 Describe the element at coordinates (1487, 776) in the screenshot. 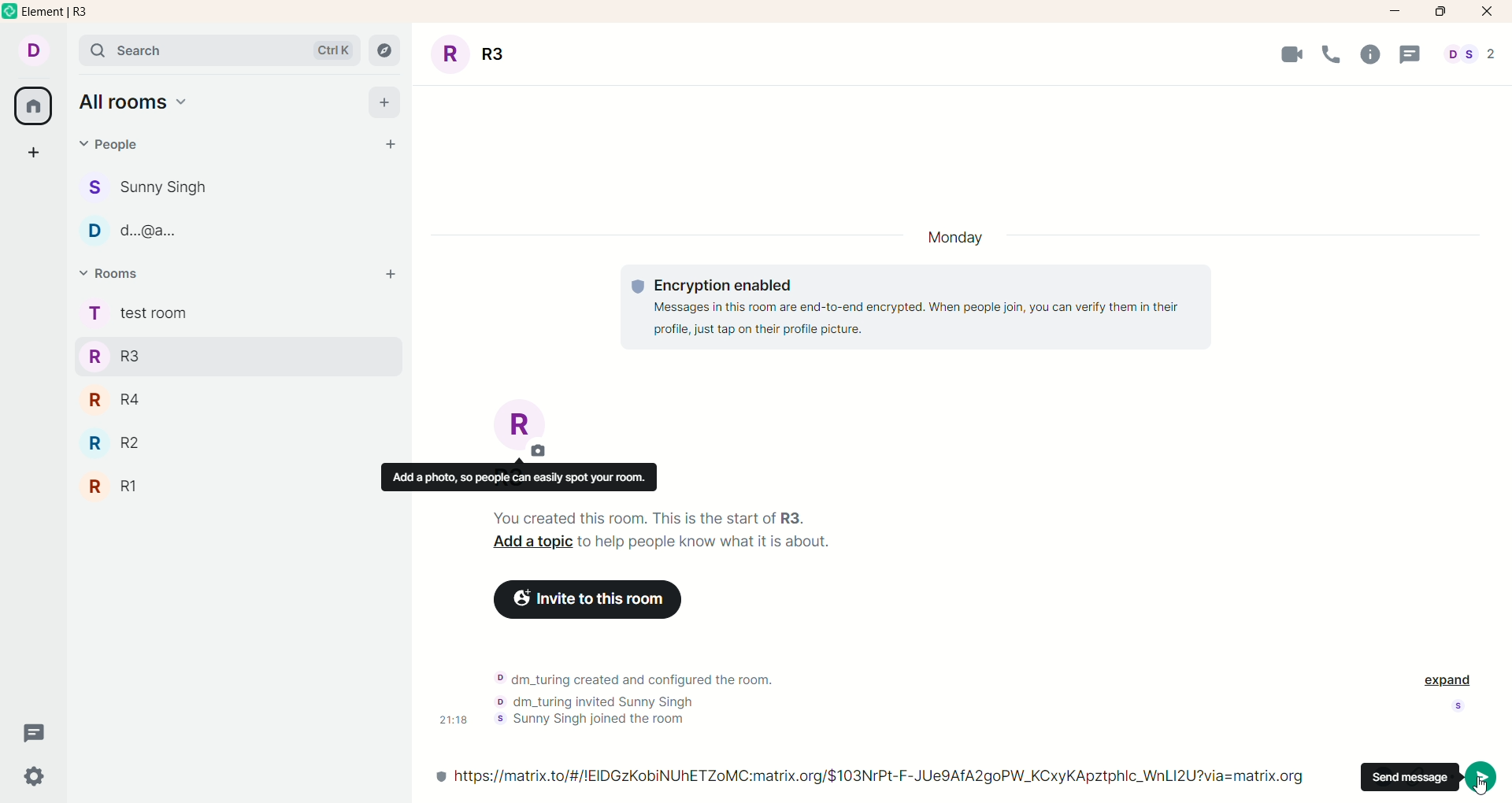

I see `send message` at that location.